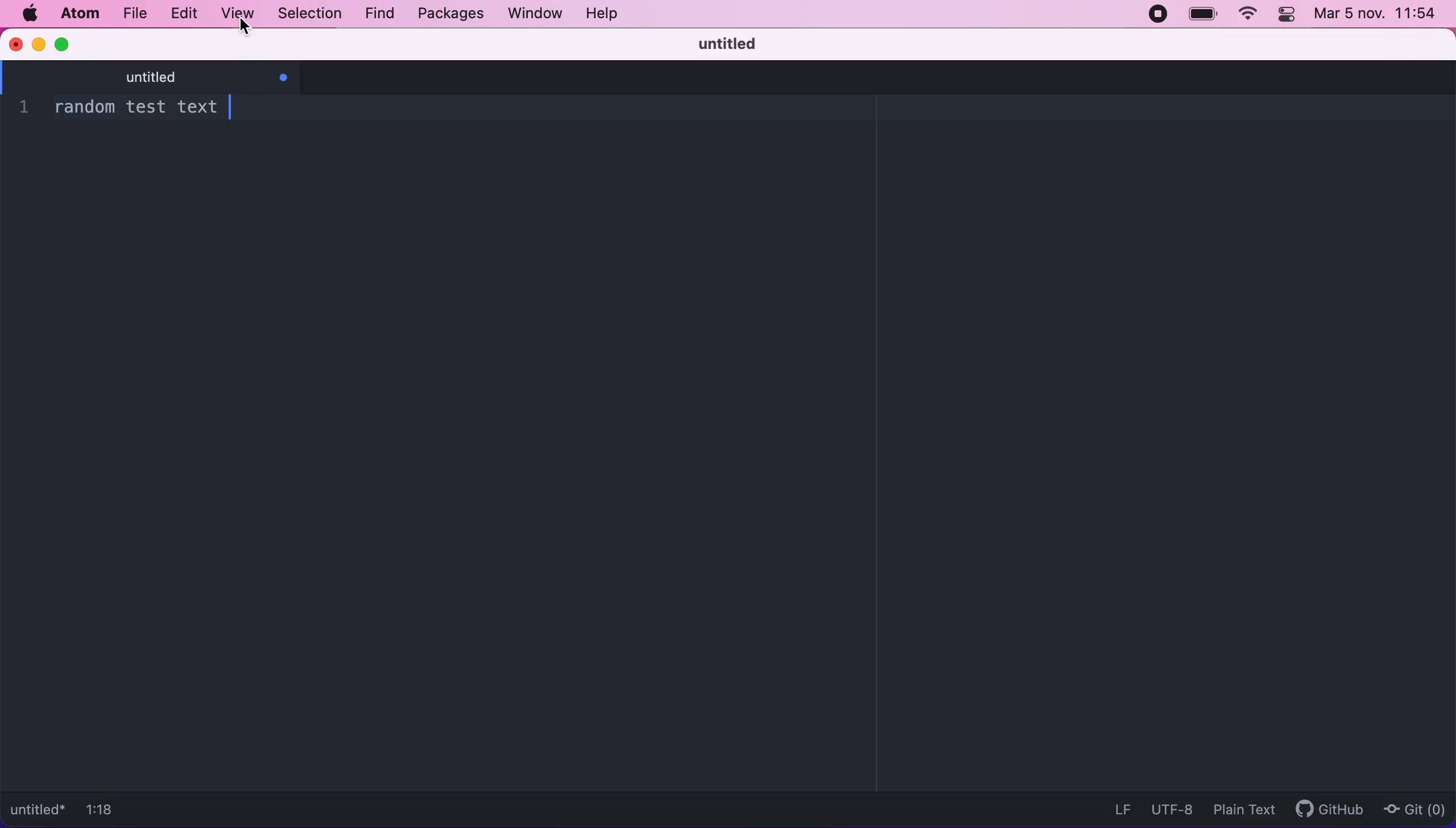  I want to click on selection, so click(308, 13).